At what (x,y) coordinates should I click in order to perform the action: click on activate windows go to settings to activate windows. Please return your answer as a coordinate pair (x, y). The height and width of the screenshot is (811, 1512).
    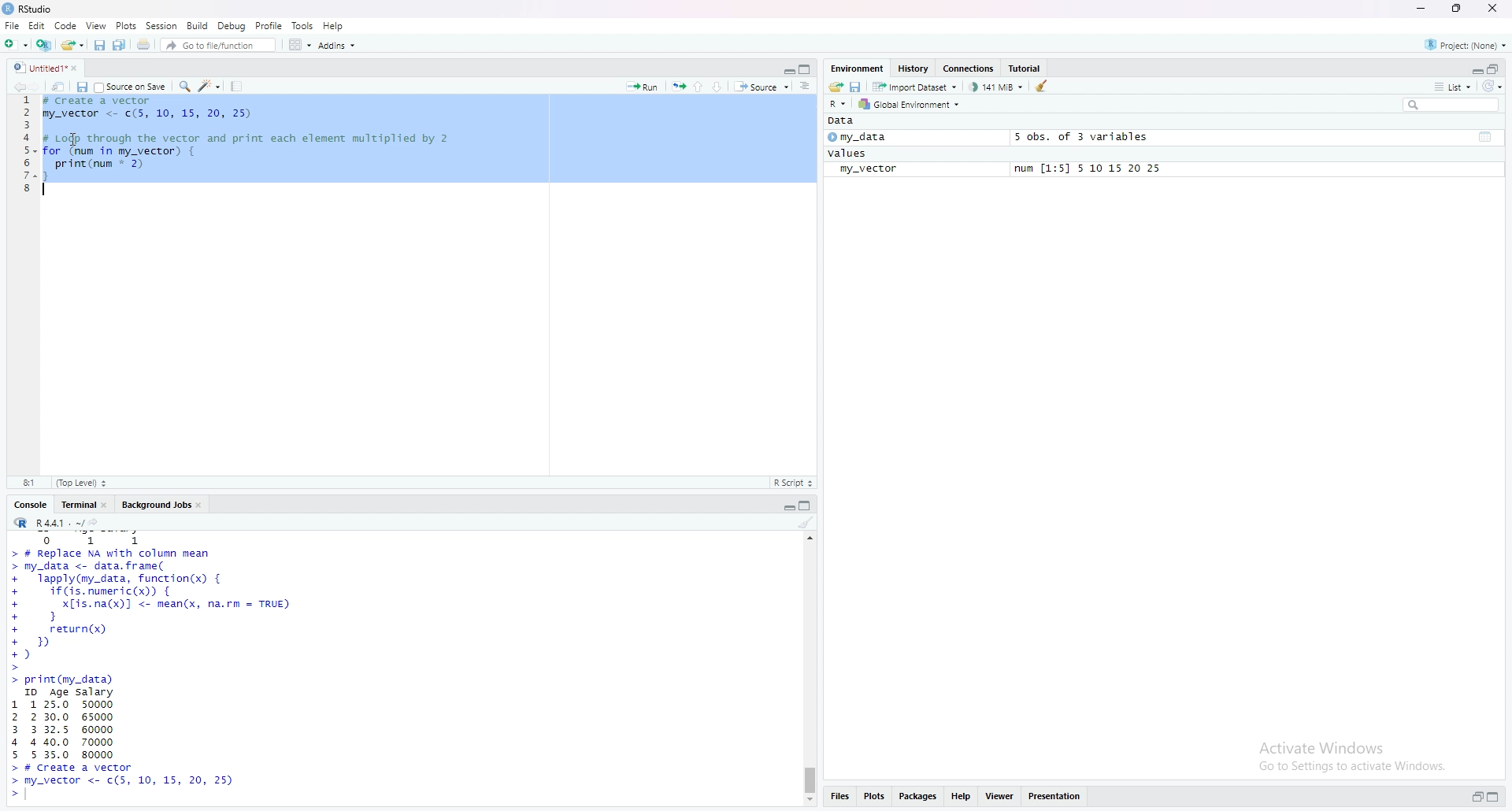
    Looking at the image, I should click on (1340, 752).